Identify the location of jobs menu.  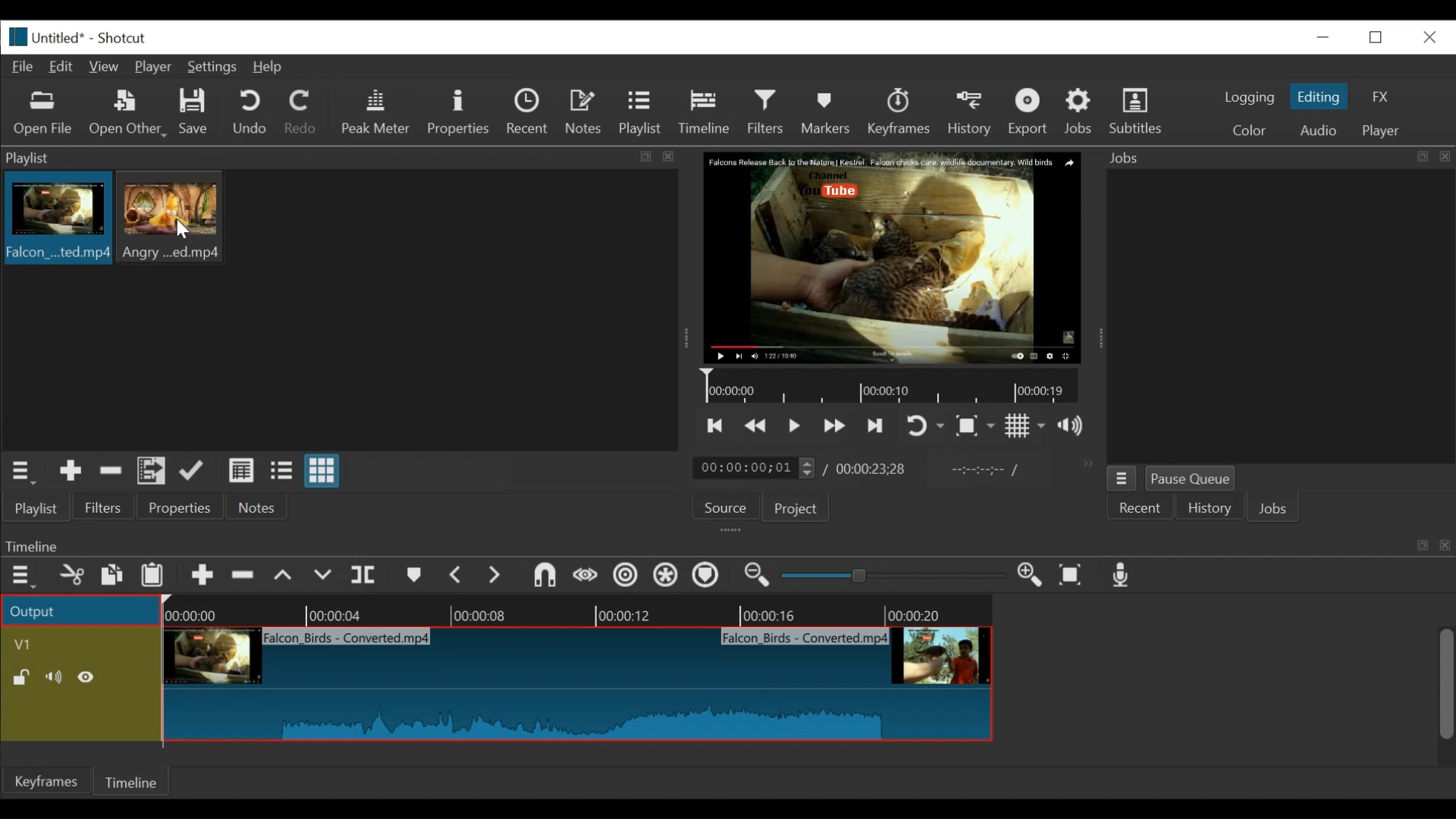
(1122, 476).